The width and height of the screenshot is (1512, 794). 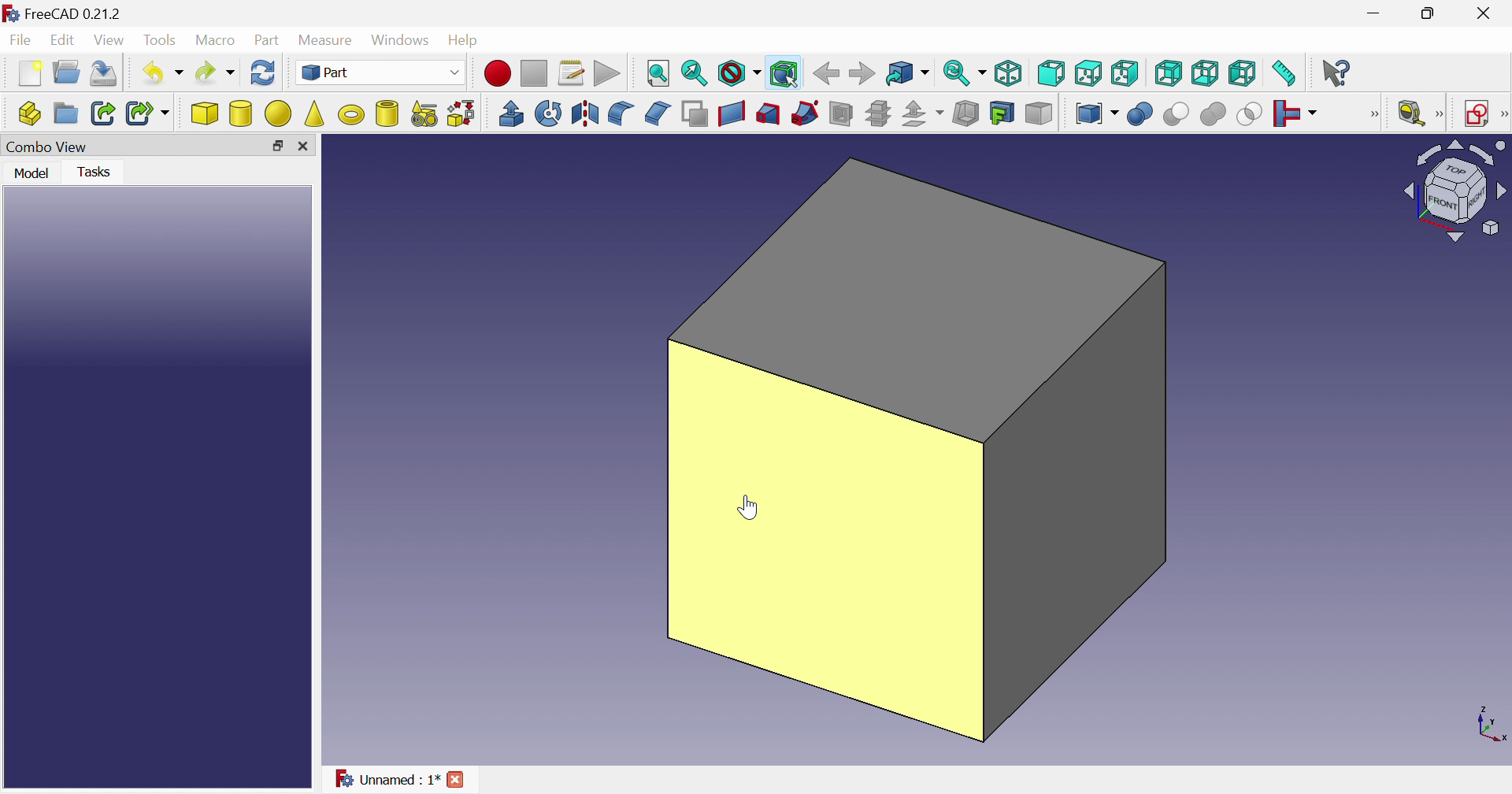 What do you see at coordinates (1371, 114) in the screenshot?
I see `[Boolean]` at bounding box center [1371, 114].